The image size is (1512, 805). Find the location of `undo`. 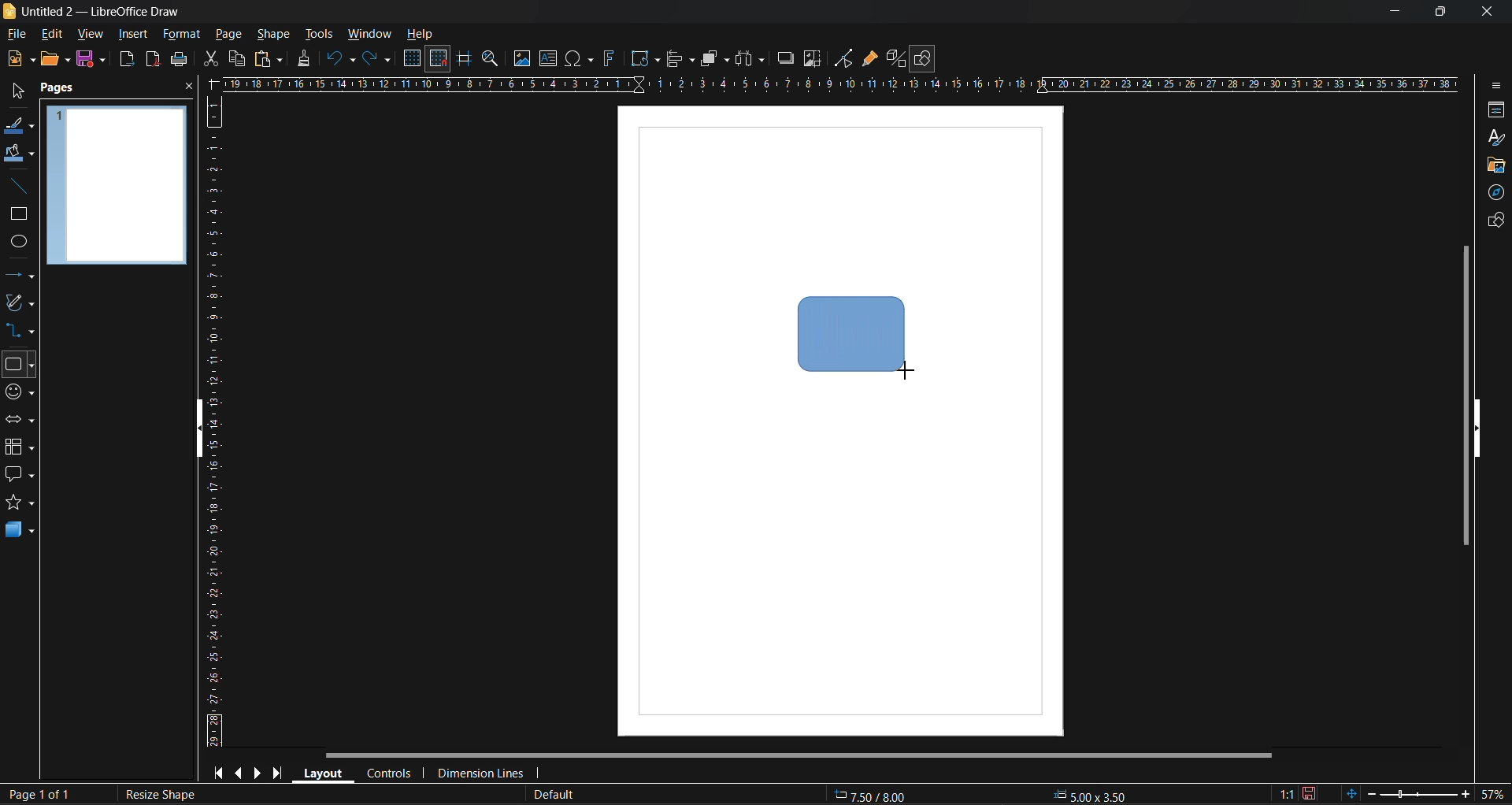

undo is located at coordinates (342, 60).